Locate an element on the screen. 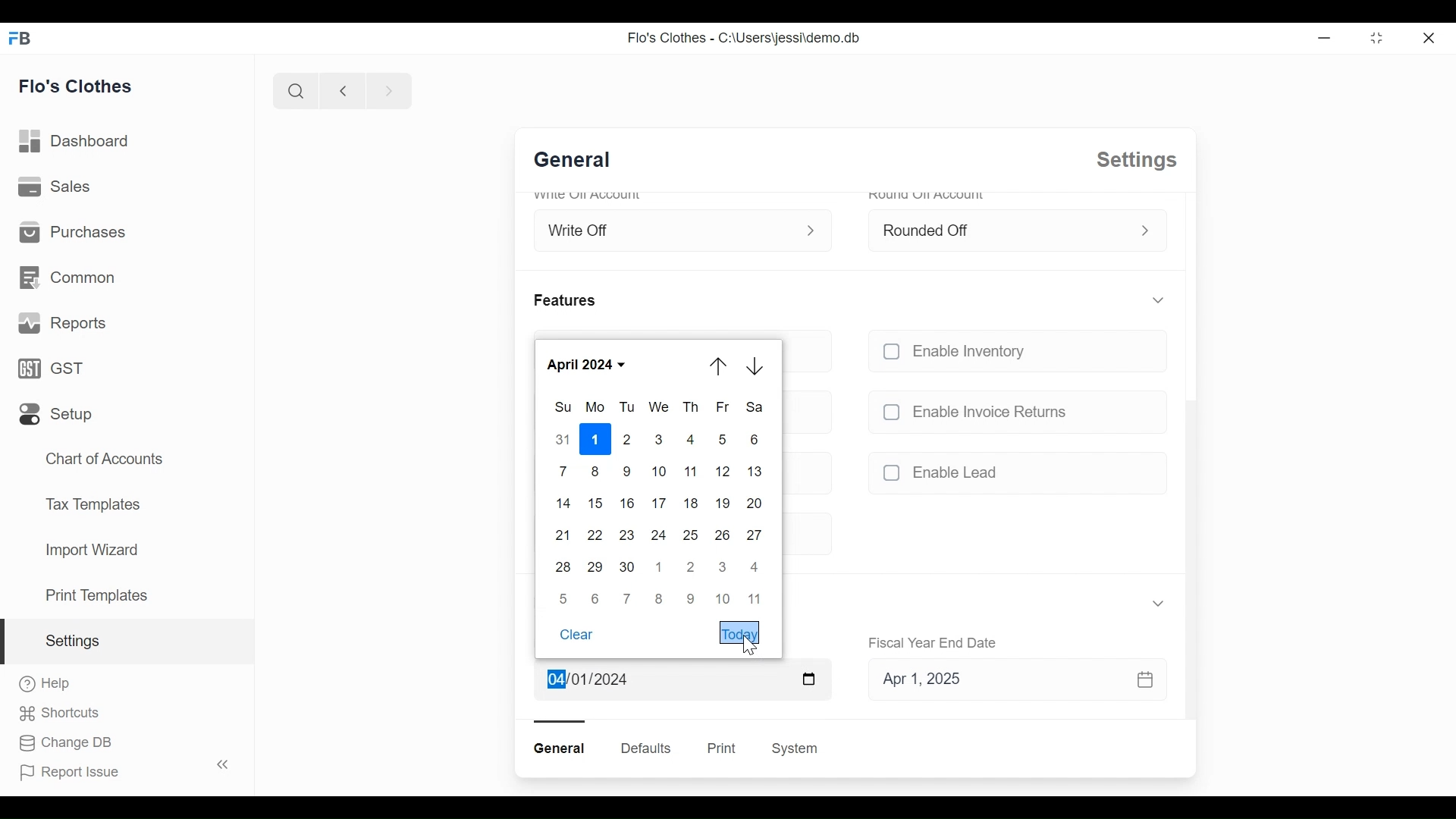 Image resolution: width=1456 pixels, height=819 pixels. 5 is located at coordinates (723, 440).